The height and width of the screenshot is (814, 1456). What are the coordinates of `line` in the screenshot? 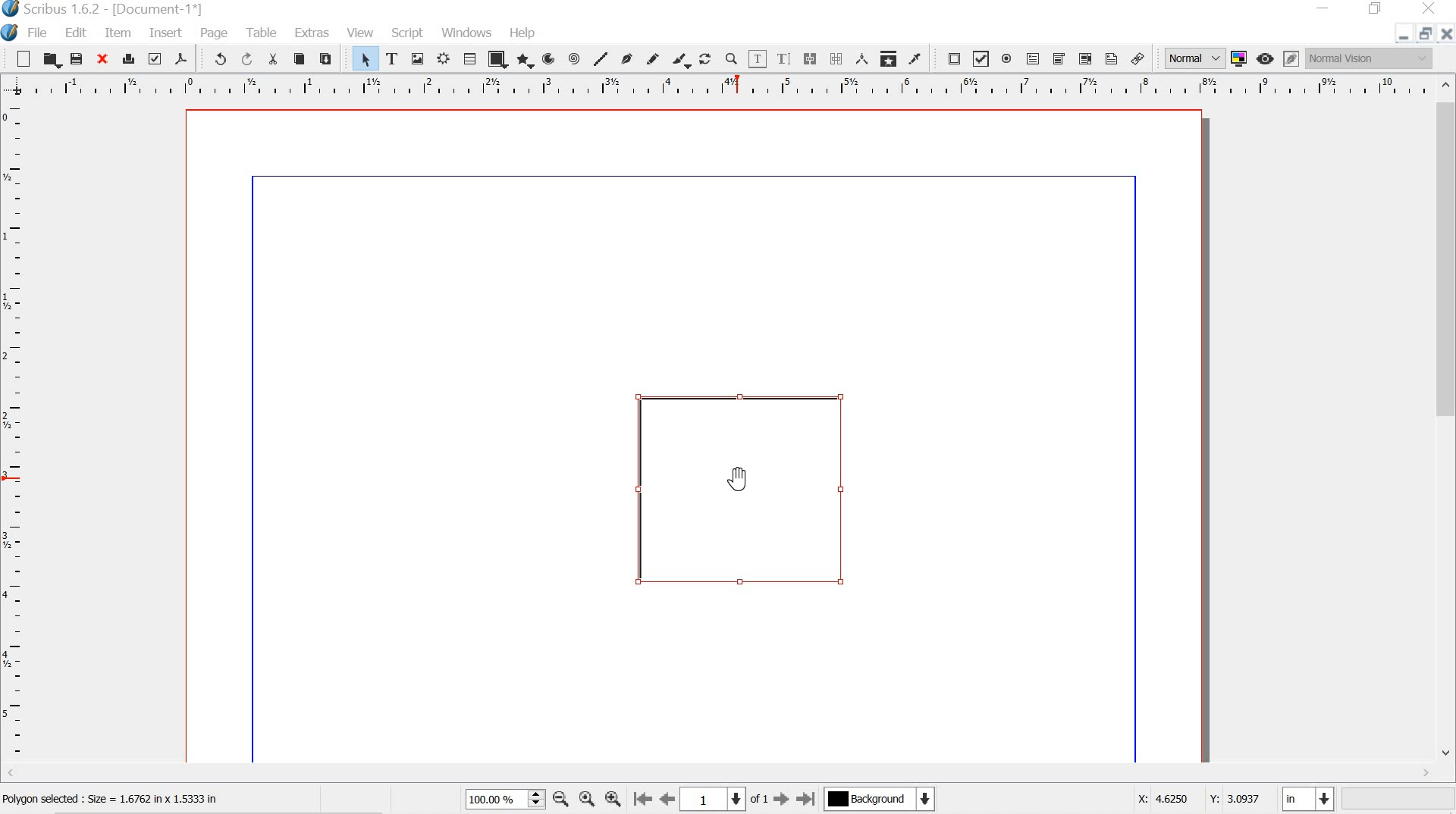 It's located at (601, 58).